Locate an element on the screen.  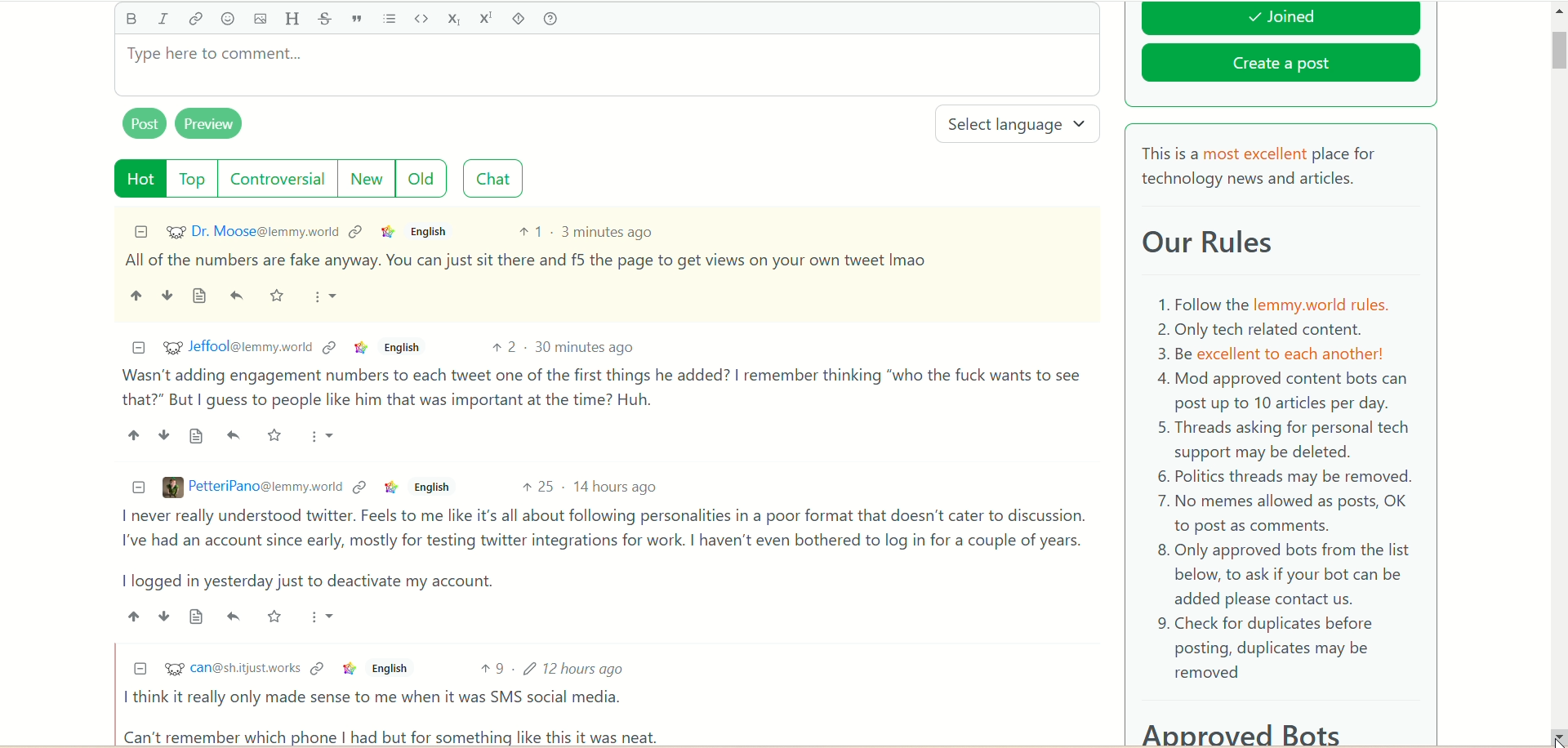
link is located at coordinates (195, 22).